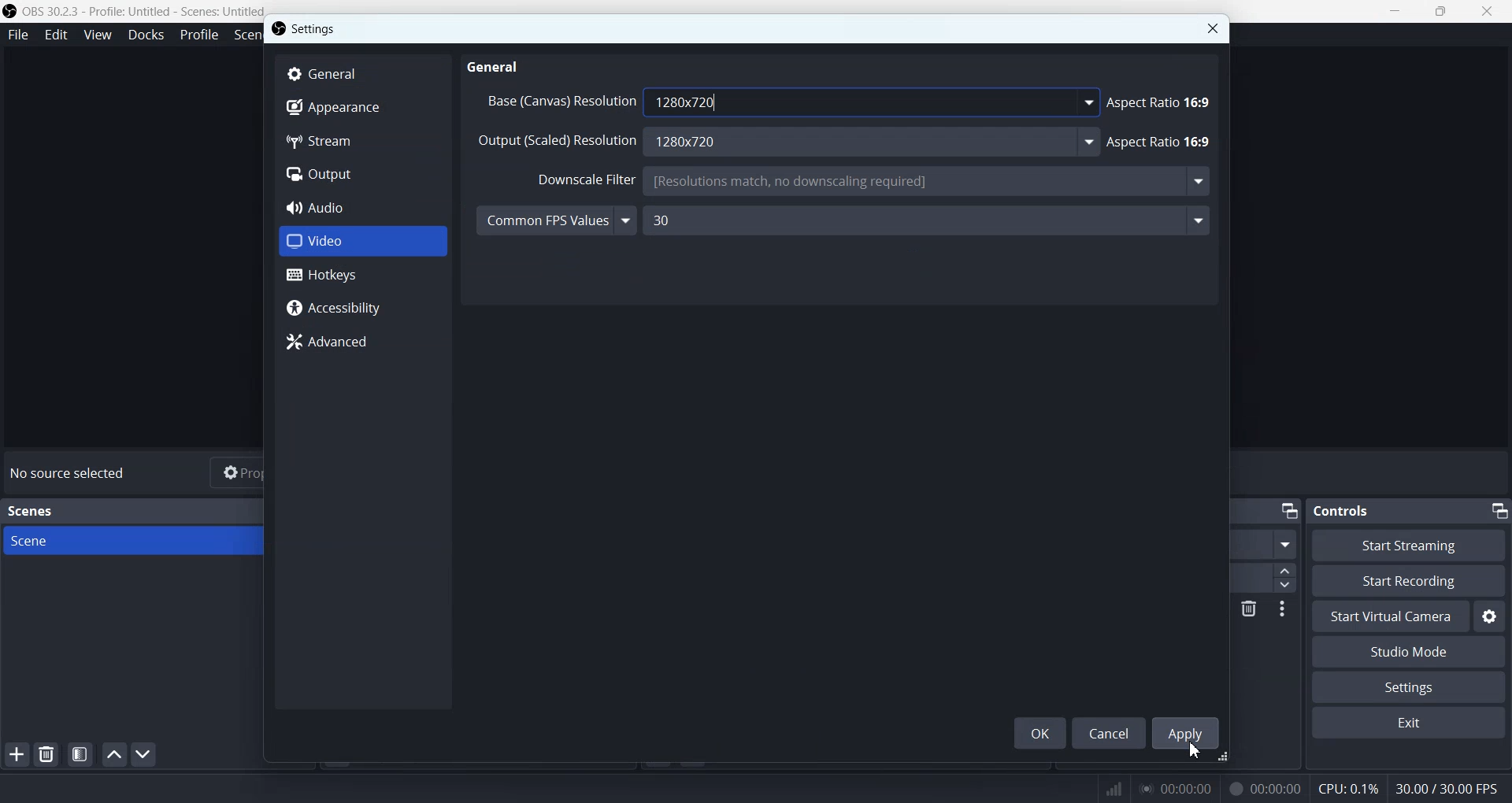 This screenshot has width=1512, height=803. What do you see at coordinates (1451, 788) in the screenshot?
I see `30.00 / 30.00 FPS` at bounding box center [1451, 788].